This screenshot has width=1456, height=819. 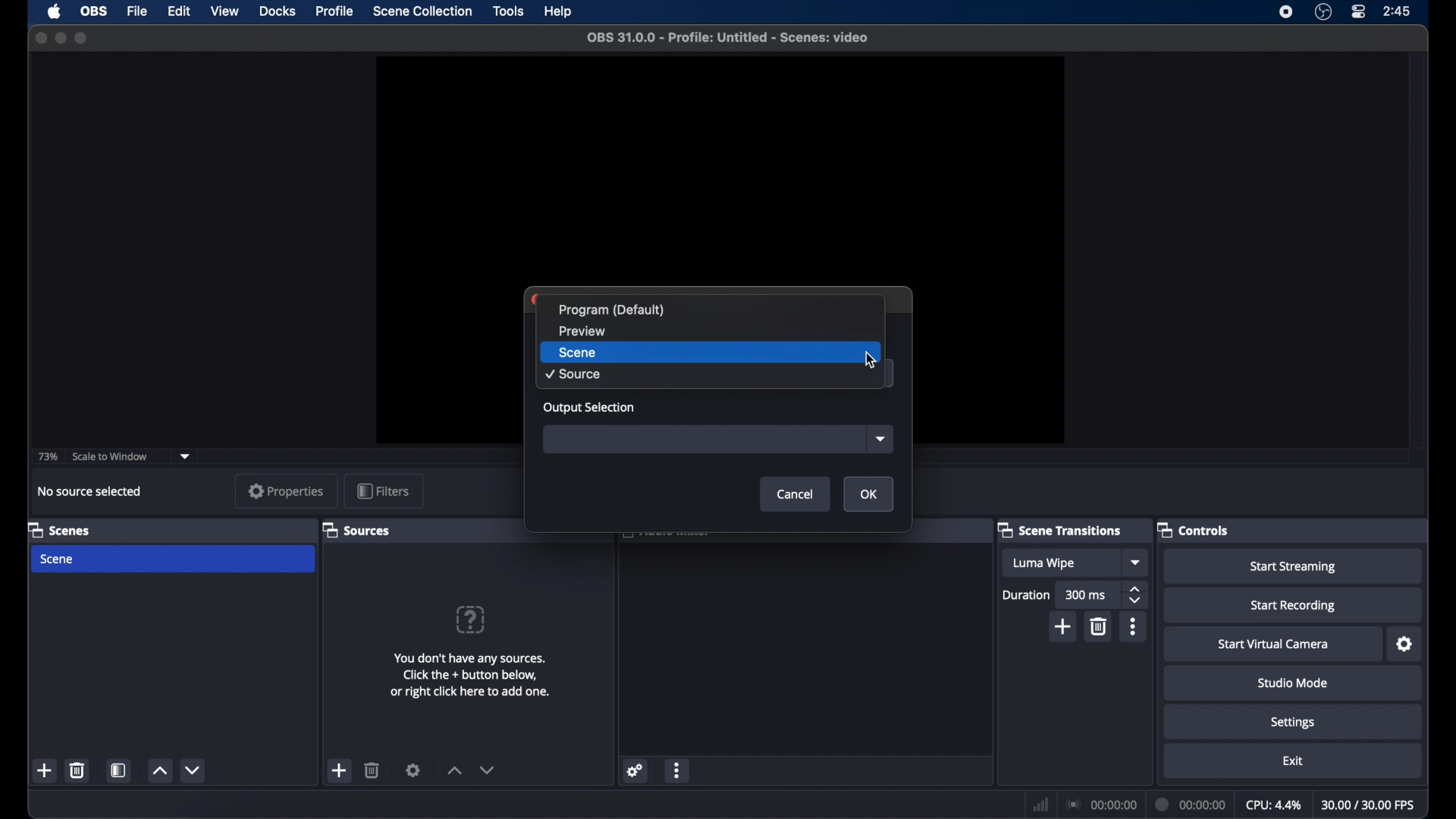 What do you see at coordinates (356, 530) in the screenshot?
I see `sources` at bounding box center [356, 530].